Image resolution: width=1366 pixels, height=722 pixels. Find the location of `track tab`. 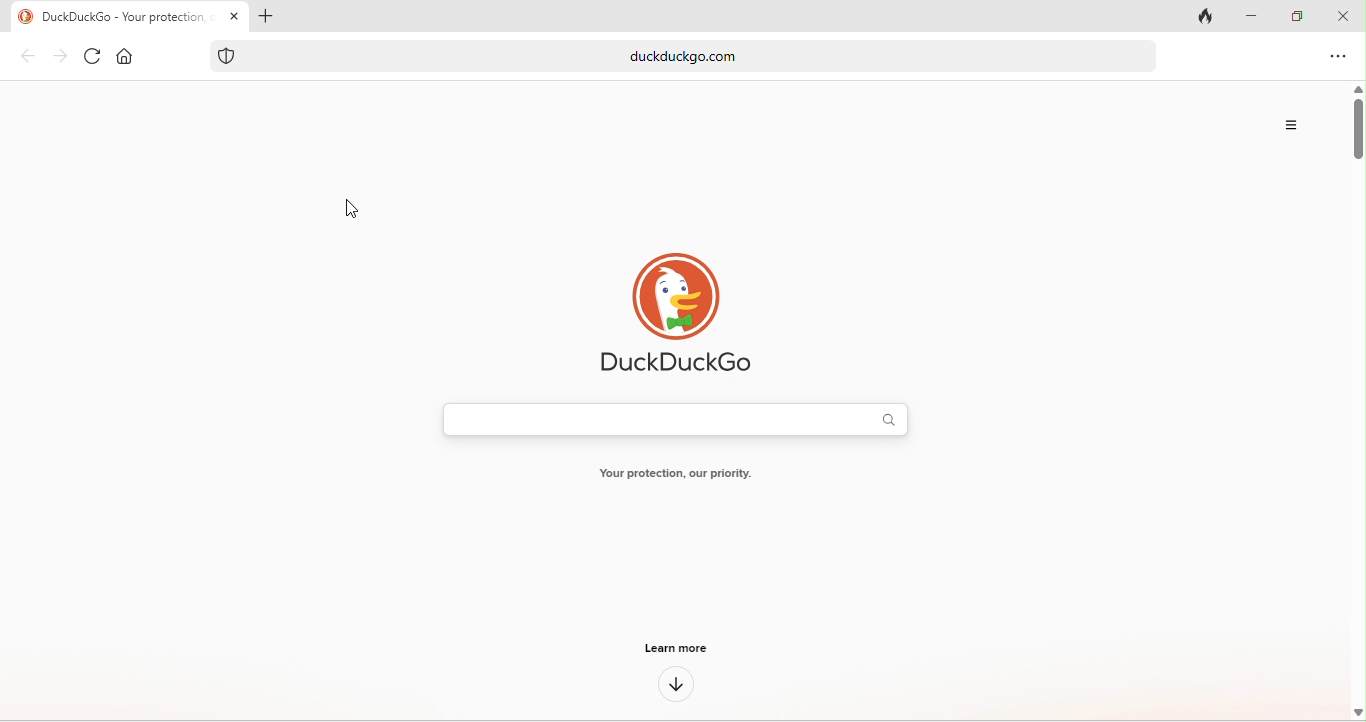

track tab is located at coordinates (1209, 19).